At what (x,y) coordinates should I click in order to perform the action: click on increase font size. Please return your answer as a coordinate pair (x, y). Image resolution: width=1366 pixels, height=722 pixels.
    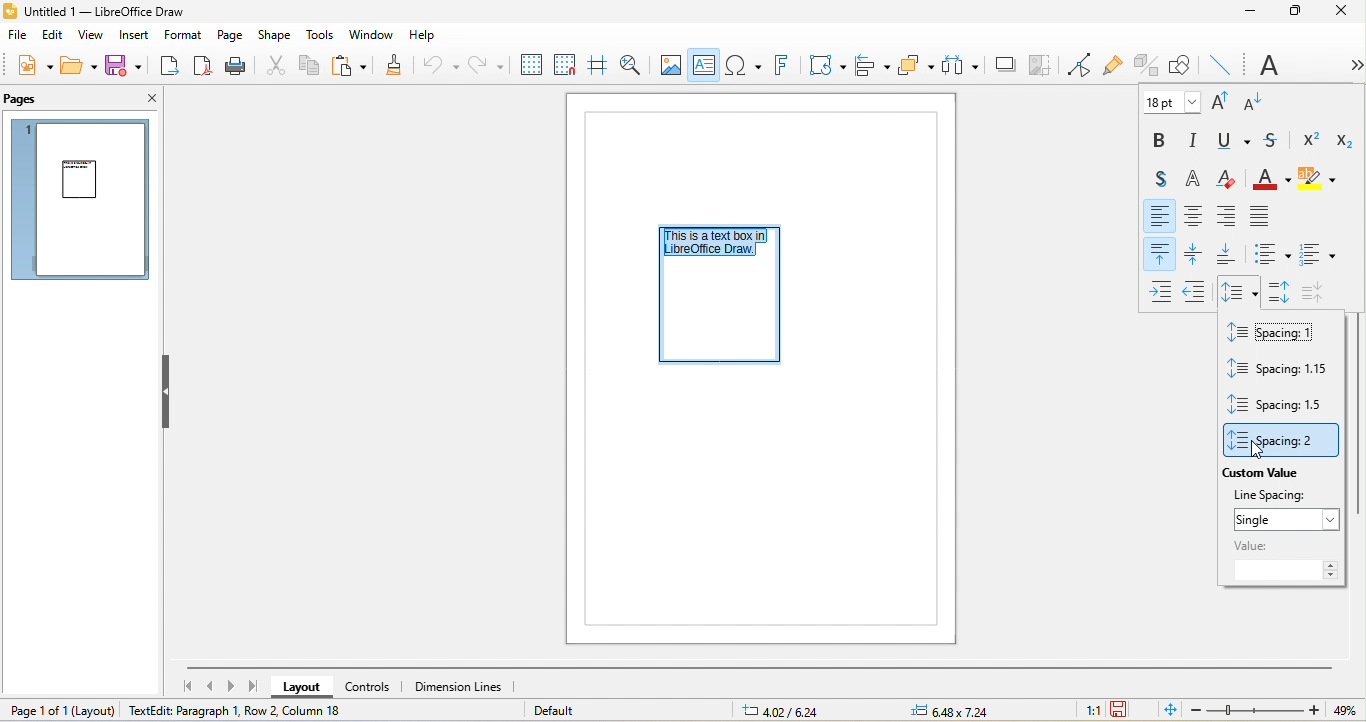
    Looking at the image, I should click on (1223, 100).